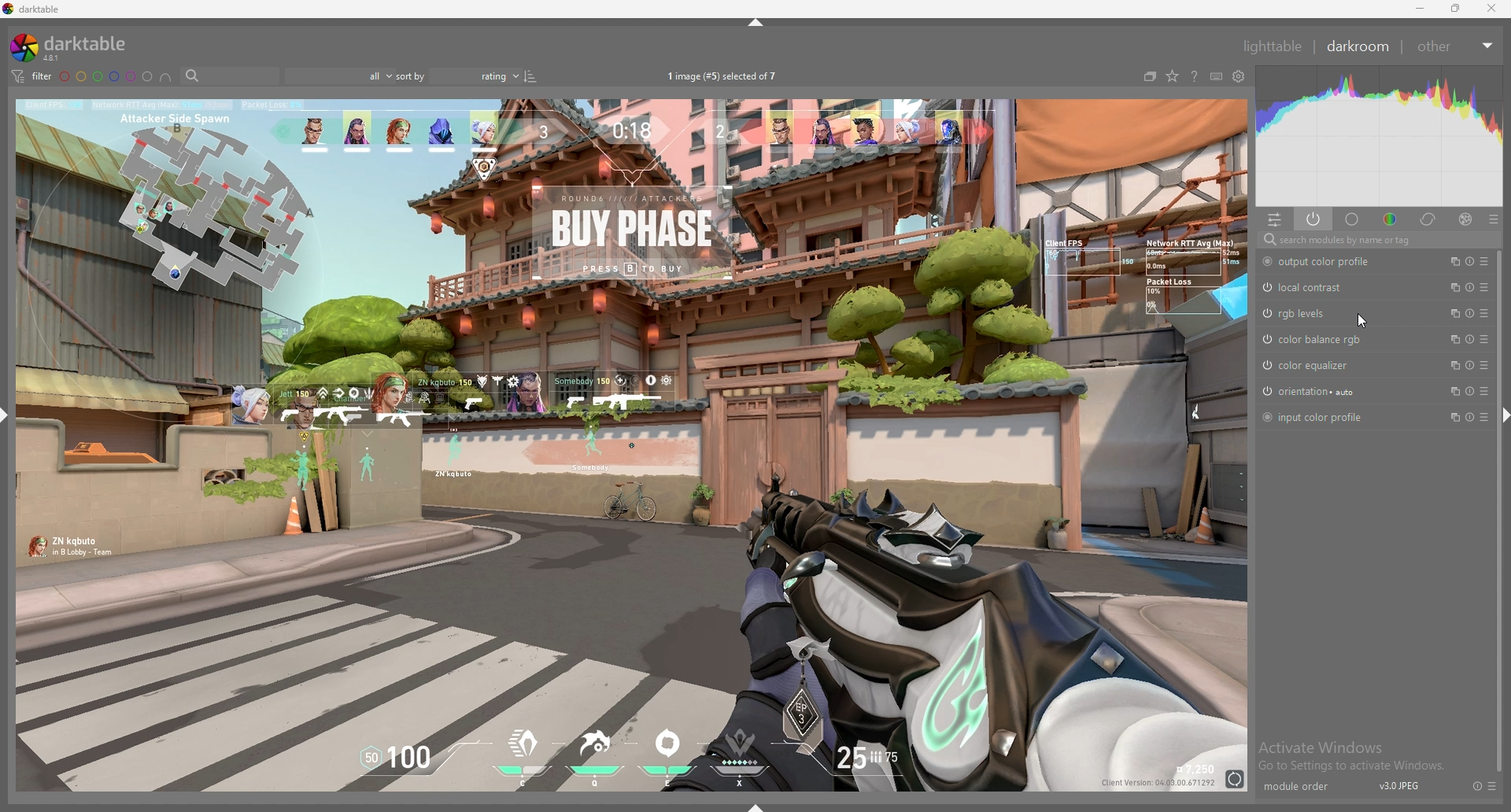 This screenshot has width=1511, height=812. What do you see at coordinates (722, 76) in the screenshot?
I see `images selected` at bounding box center [722, 76].